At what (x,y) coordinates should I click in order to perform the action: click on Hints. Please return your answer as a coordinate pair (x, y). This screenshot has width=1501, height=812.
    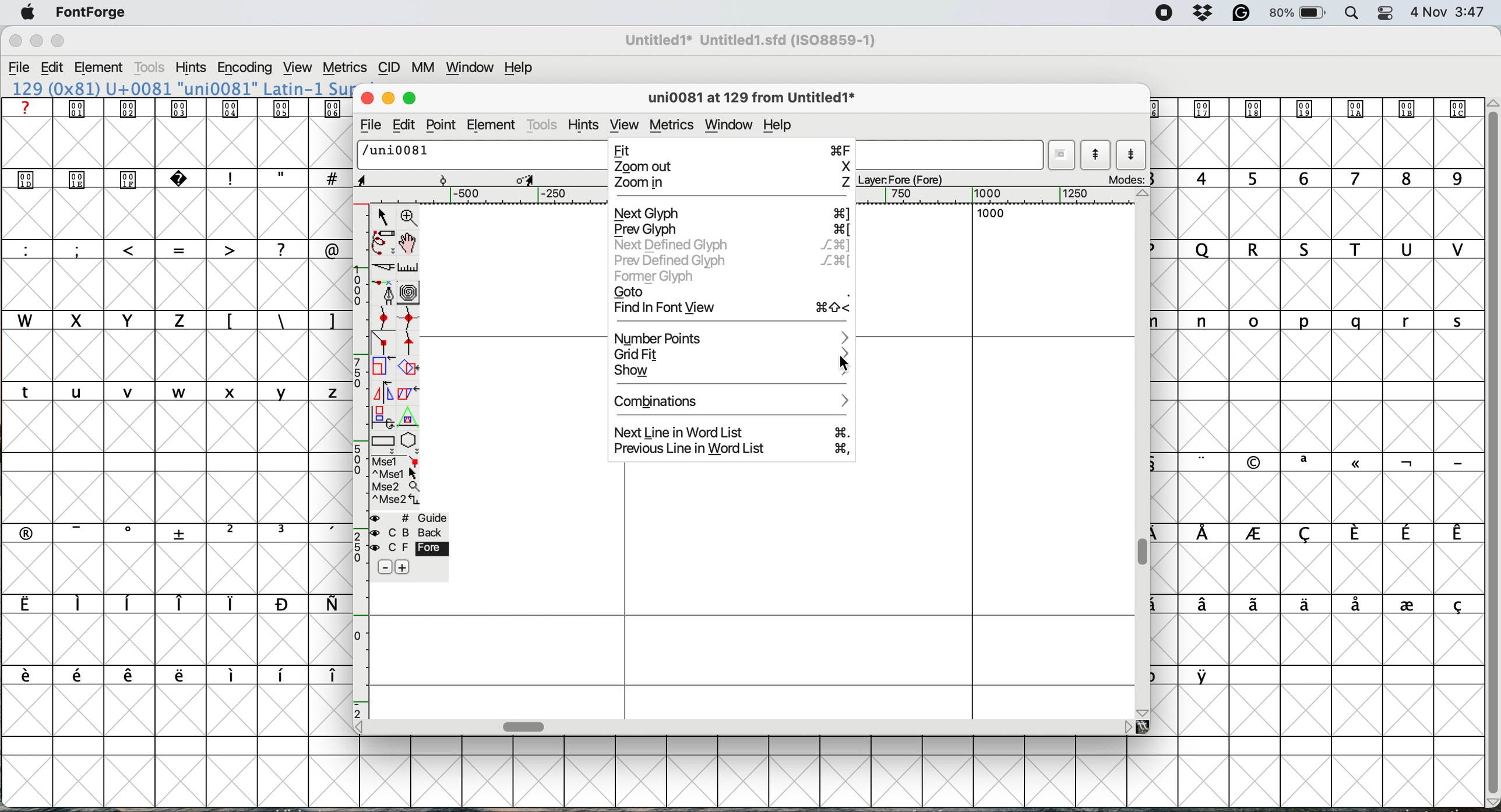
    Looking at the image, I should click on (191, 68).